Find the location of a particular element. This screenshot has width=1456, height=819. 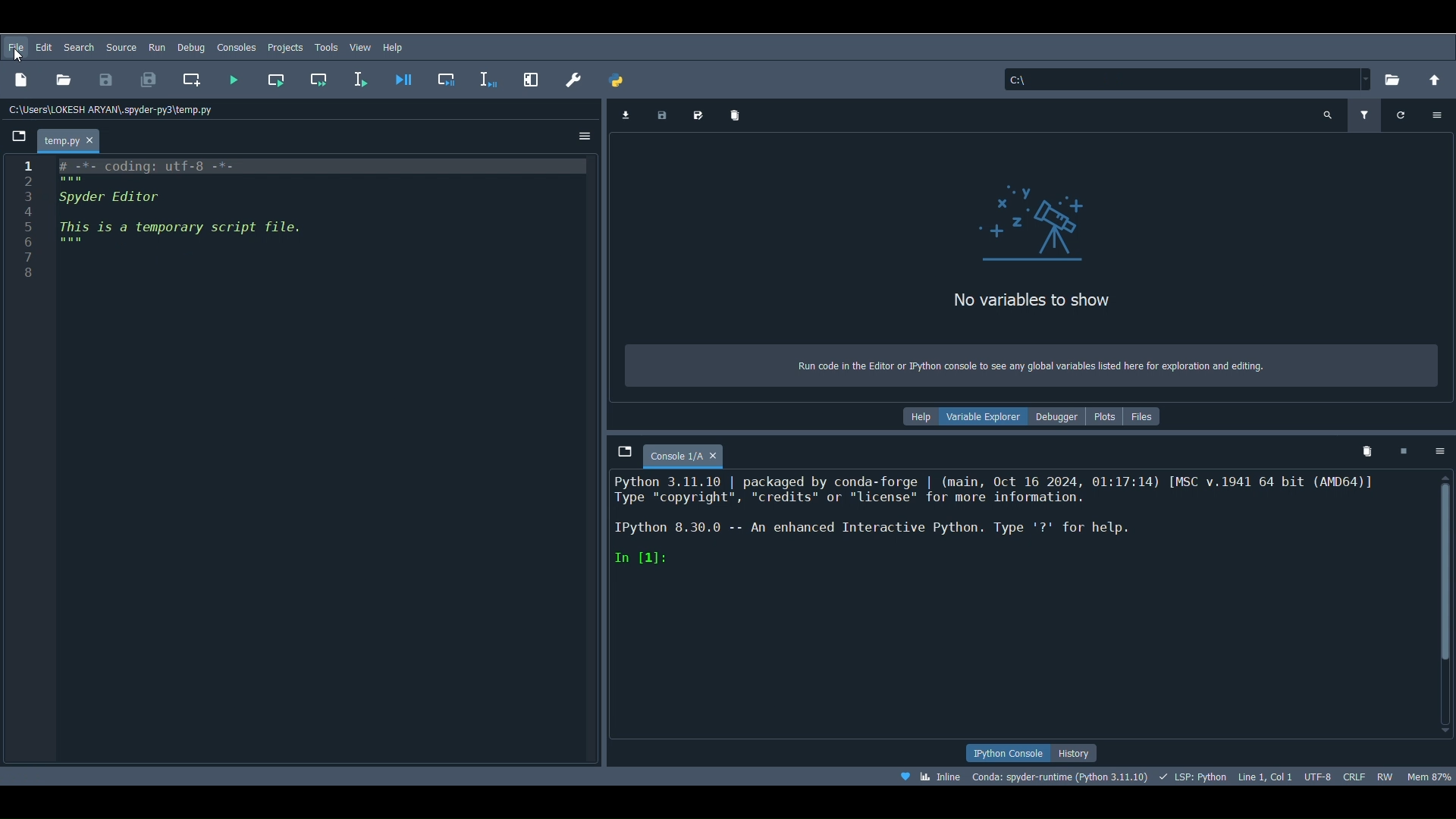

Options is located at coordinates (1438, 452).